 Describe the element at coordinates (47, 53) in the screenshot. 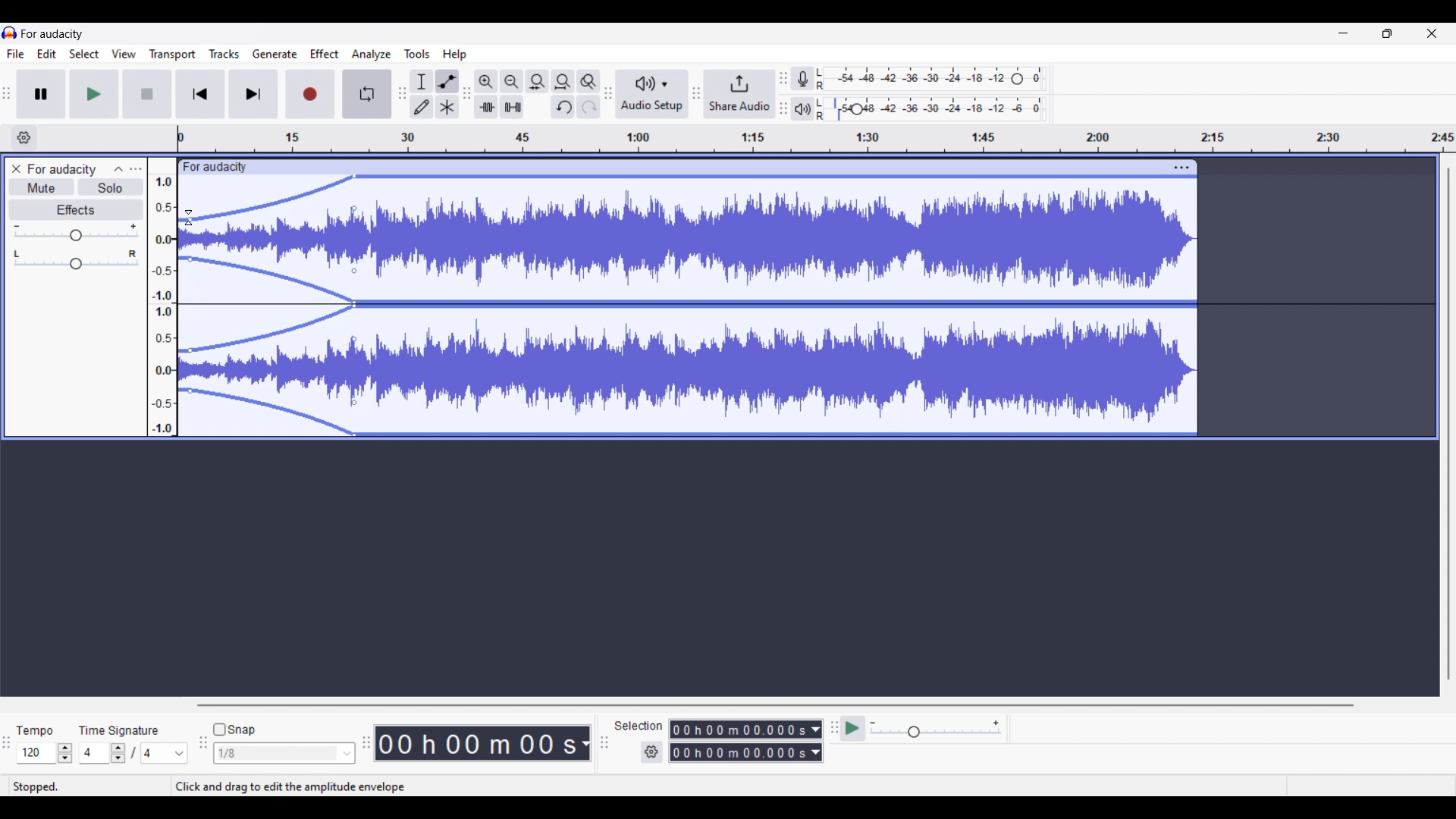

I see `Edit` at that location.